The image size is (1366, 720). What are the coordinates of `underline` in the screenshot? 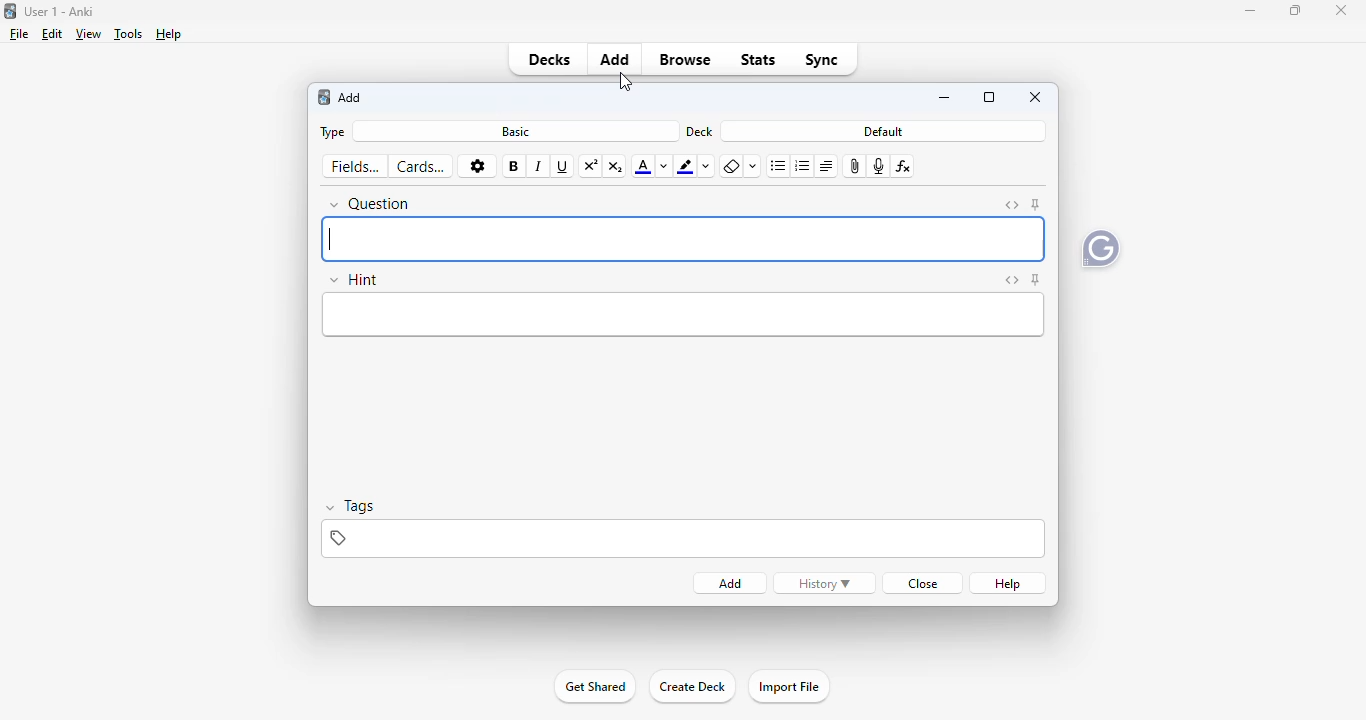 It's located at (563, 167).